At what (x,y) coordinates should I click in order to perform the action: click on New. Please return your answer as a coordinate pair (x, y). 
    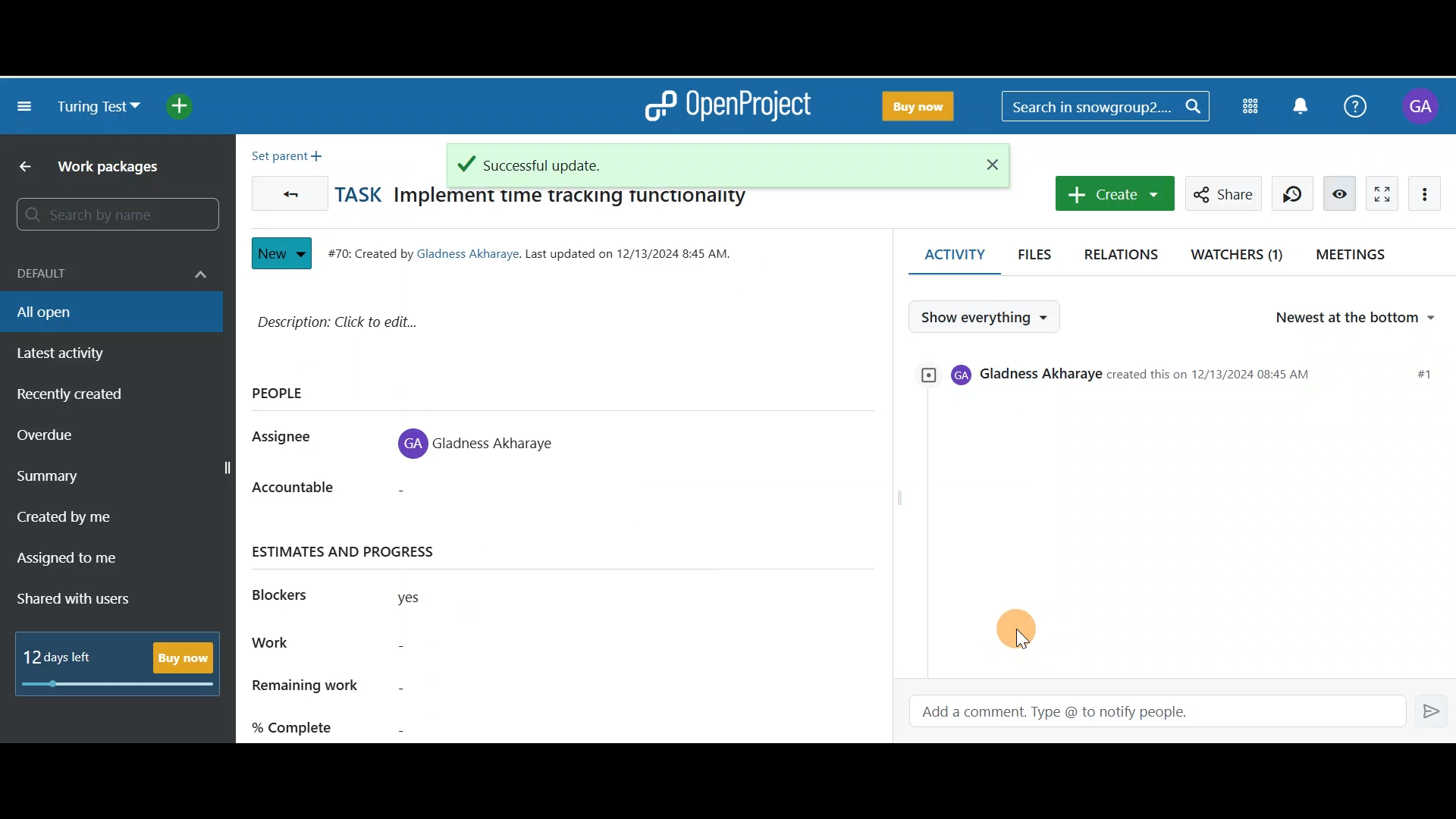
    Looking at the image, I should click on (281, 249).